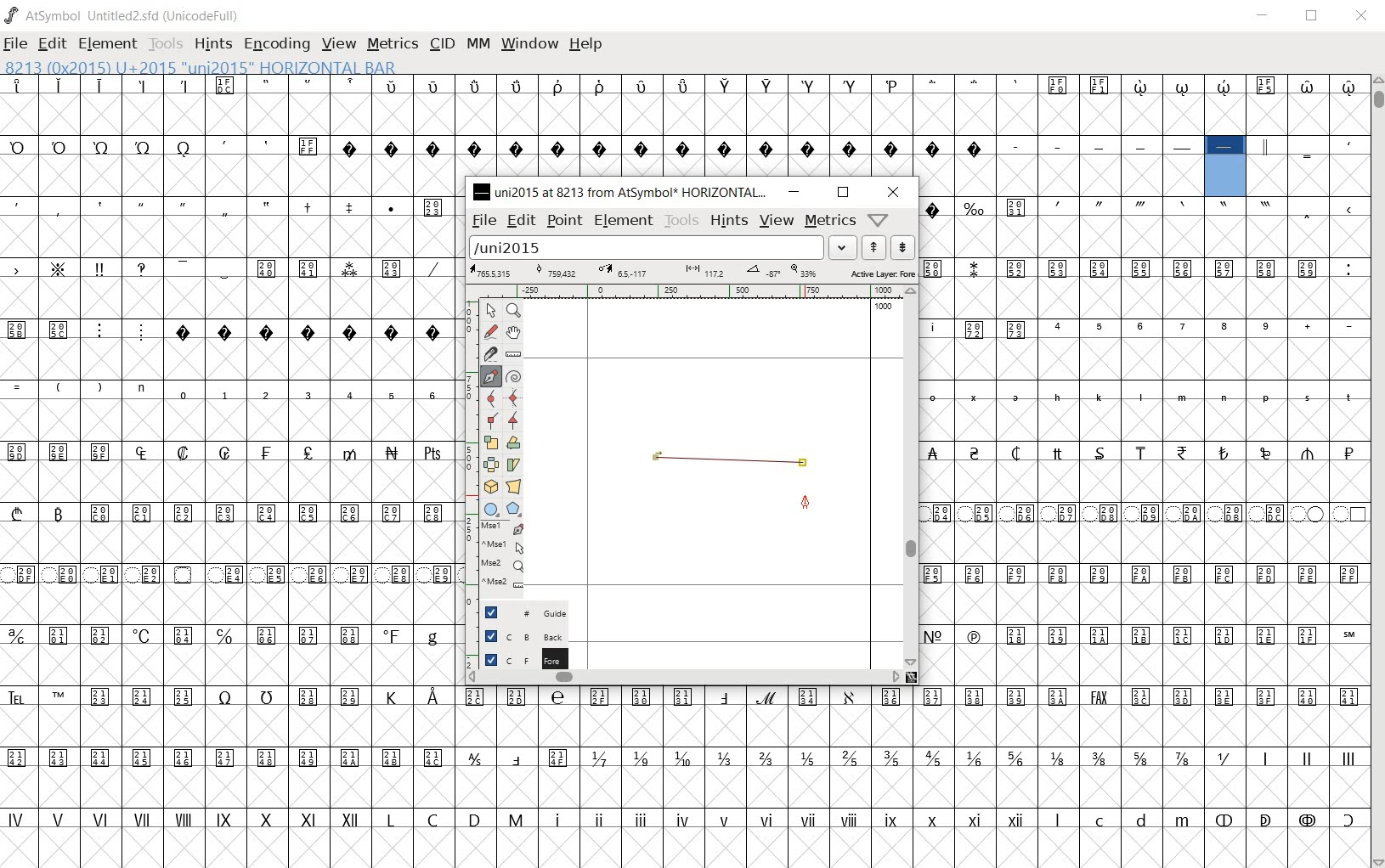 This screenshot has height=868, width=1385. What do you see at coordinates (1145, 440) in the screenshot?
I see `glyph characters` at bounding box center [1145, 440].